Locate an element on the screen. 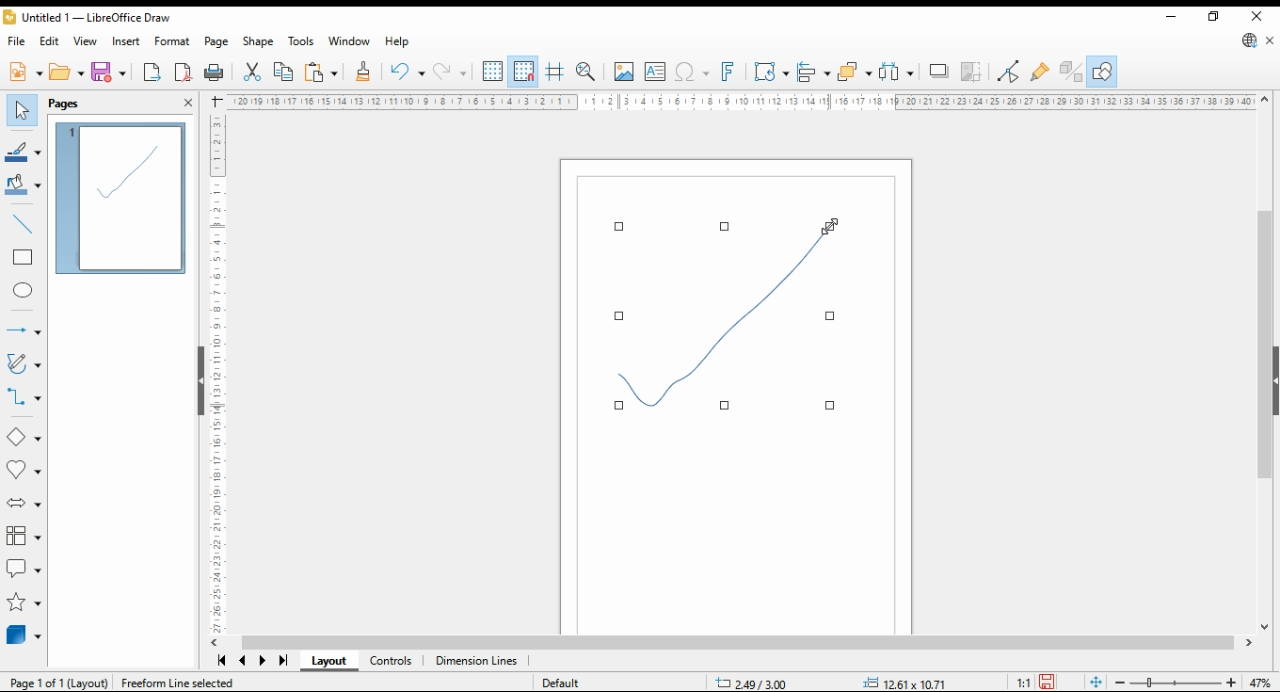  new shape is located at coordinates (720, 316).